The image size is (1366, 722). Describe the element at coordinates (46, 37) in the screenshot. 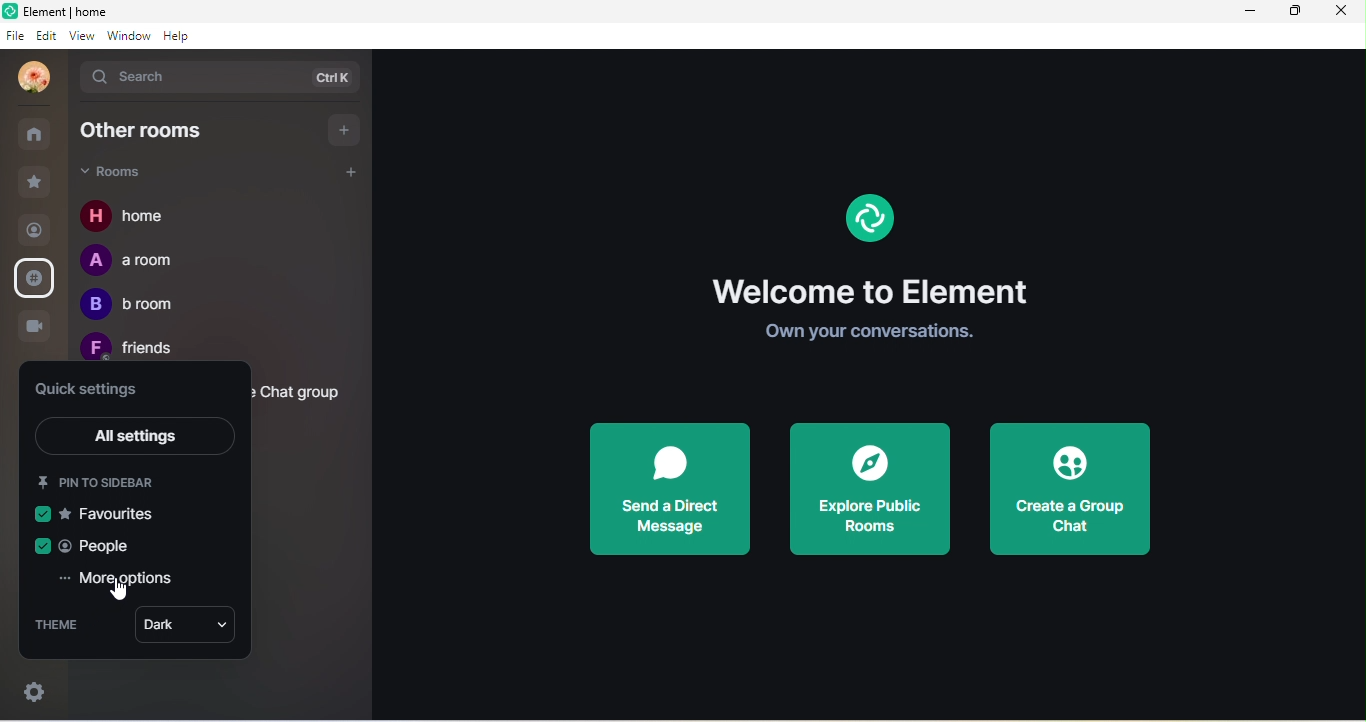

I see `edit` at that location.